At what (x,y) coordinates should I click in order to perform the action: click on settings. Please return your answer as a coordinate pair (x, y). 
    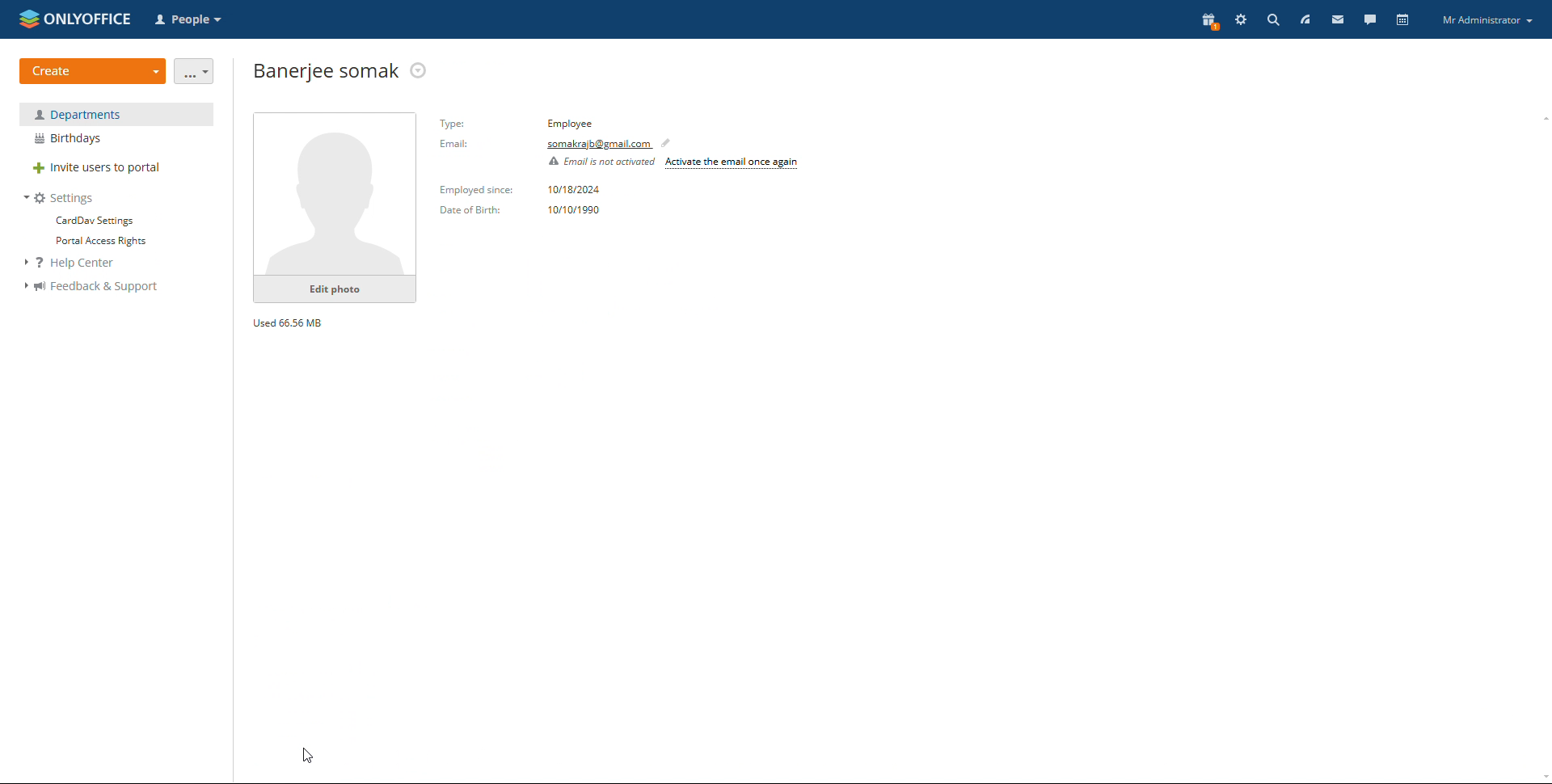
    Looking at the image, I should click on (1241, 21).